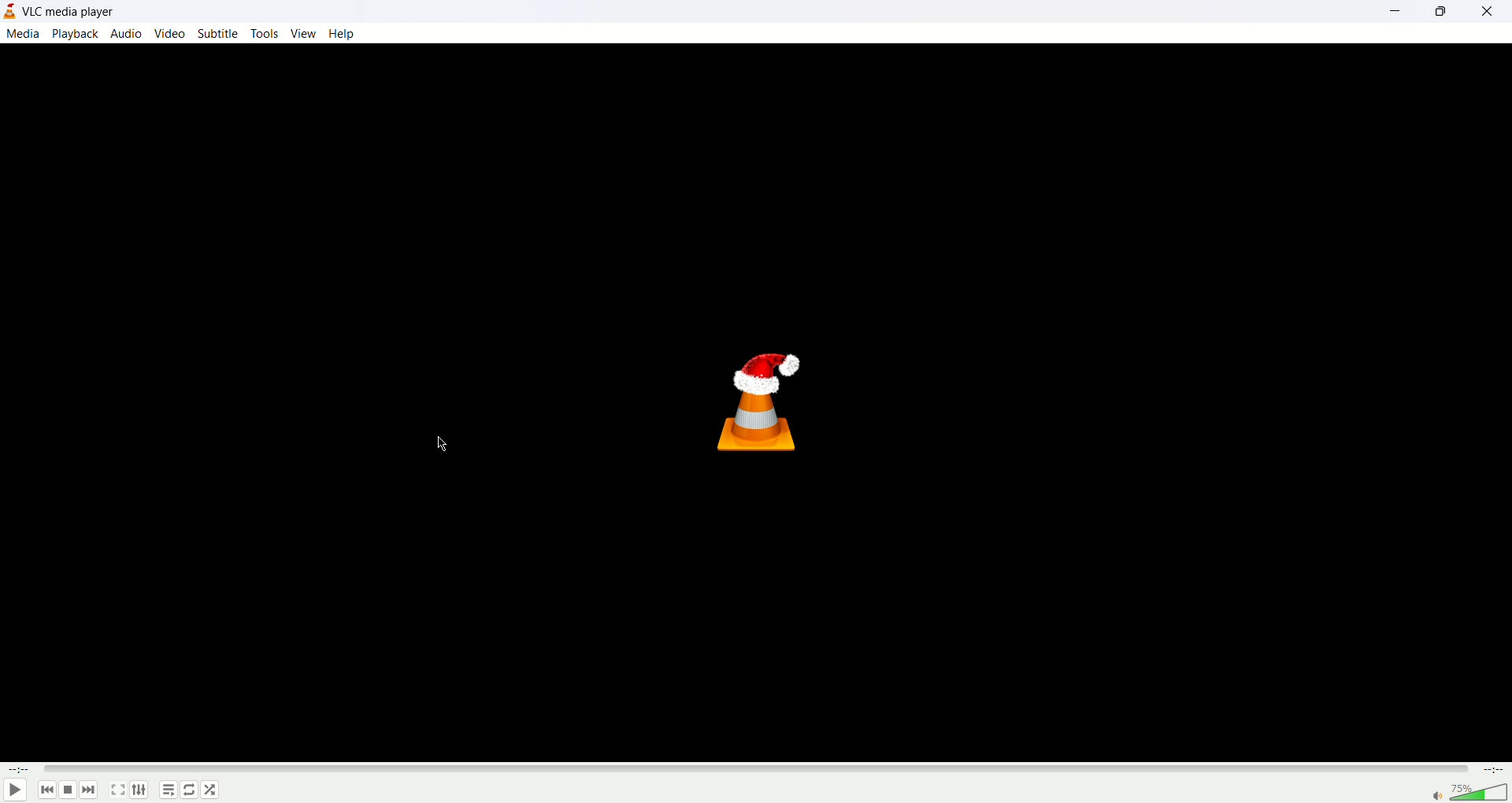 Image resolution: width=1512 pixels, height=803 pixels. I want to click on tools, so click(264, 34).